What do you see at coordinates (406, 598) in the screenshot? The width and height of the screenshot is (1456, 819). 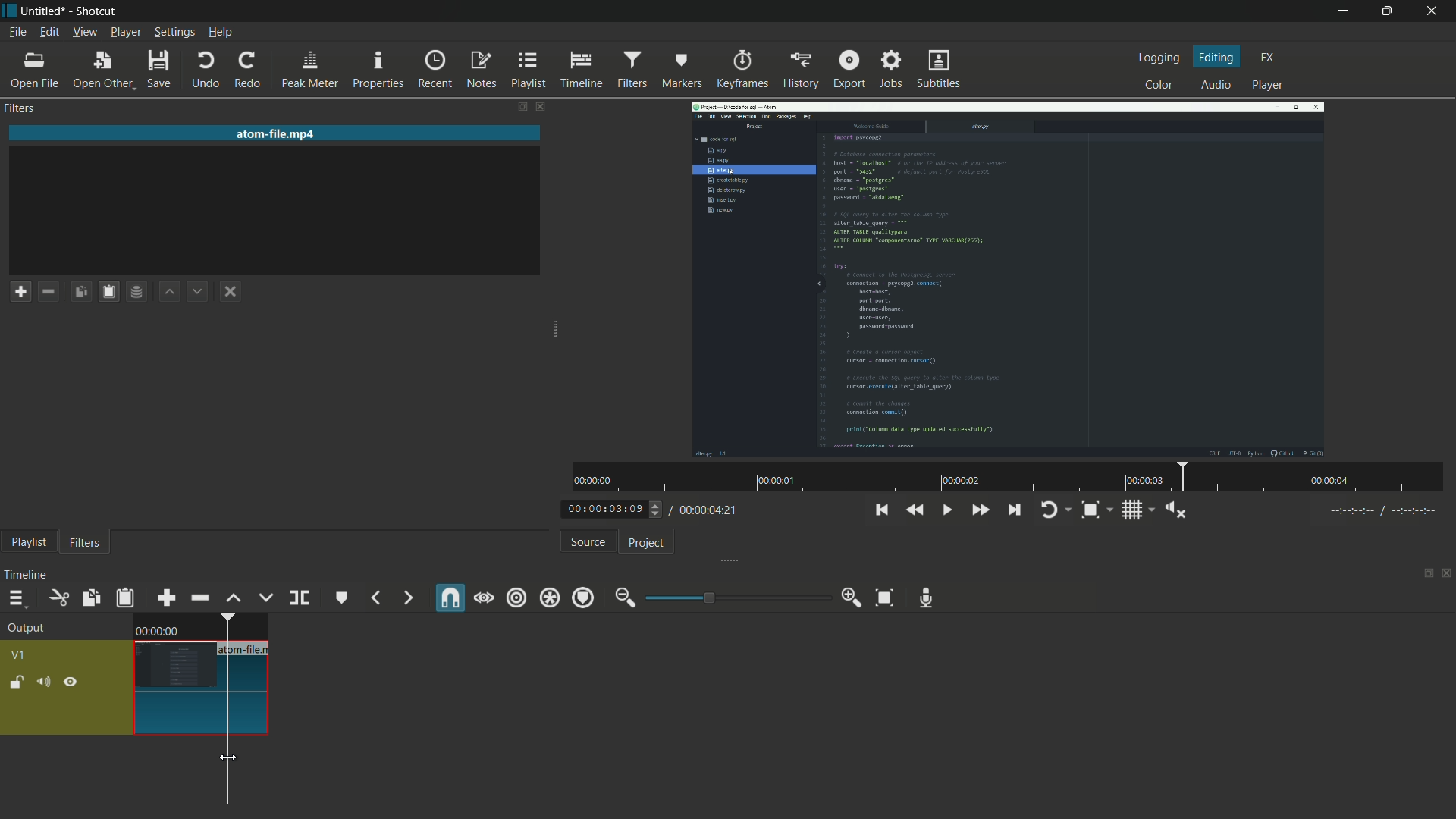 I see `next marker` at bounding box center [406, 598].